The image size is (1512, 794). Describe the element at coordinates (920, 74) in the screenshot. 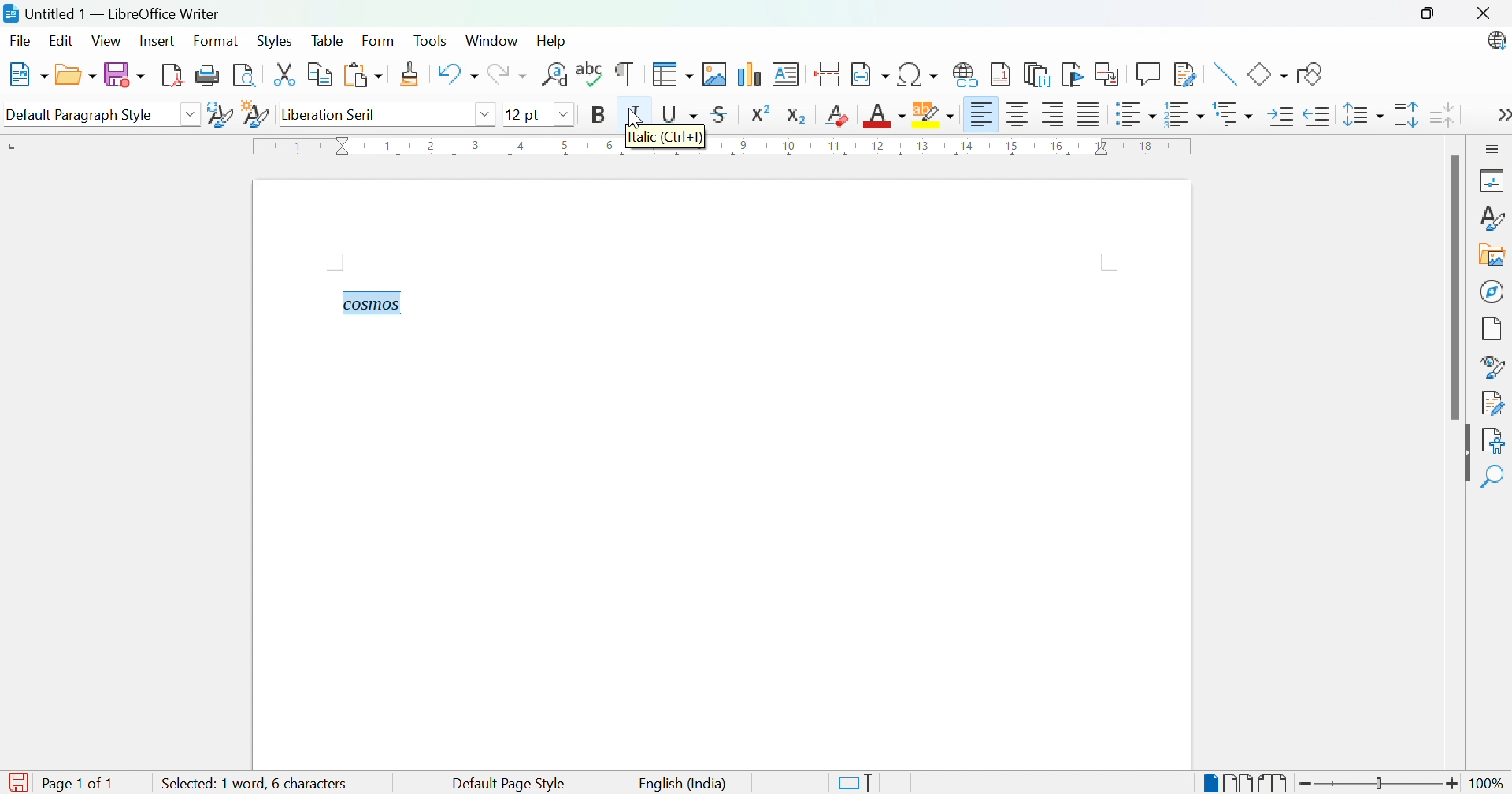

I see `Insert special characters` at that location.